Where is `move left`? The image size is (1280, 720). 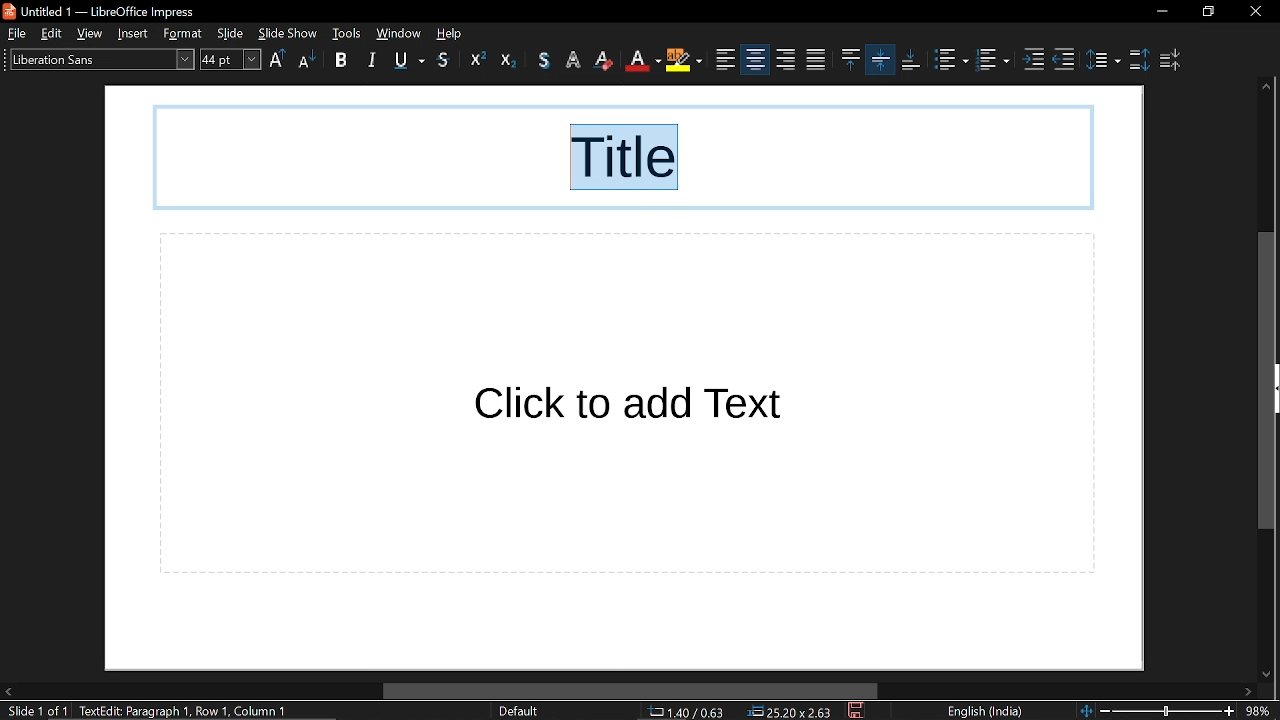
move left is located at coordinates (8, 692).